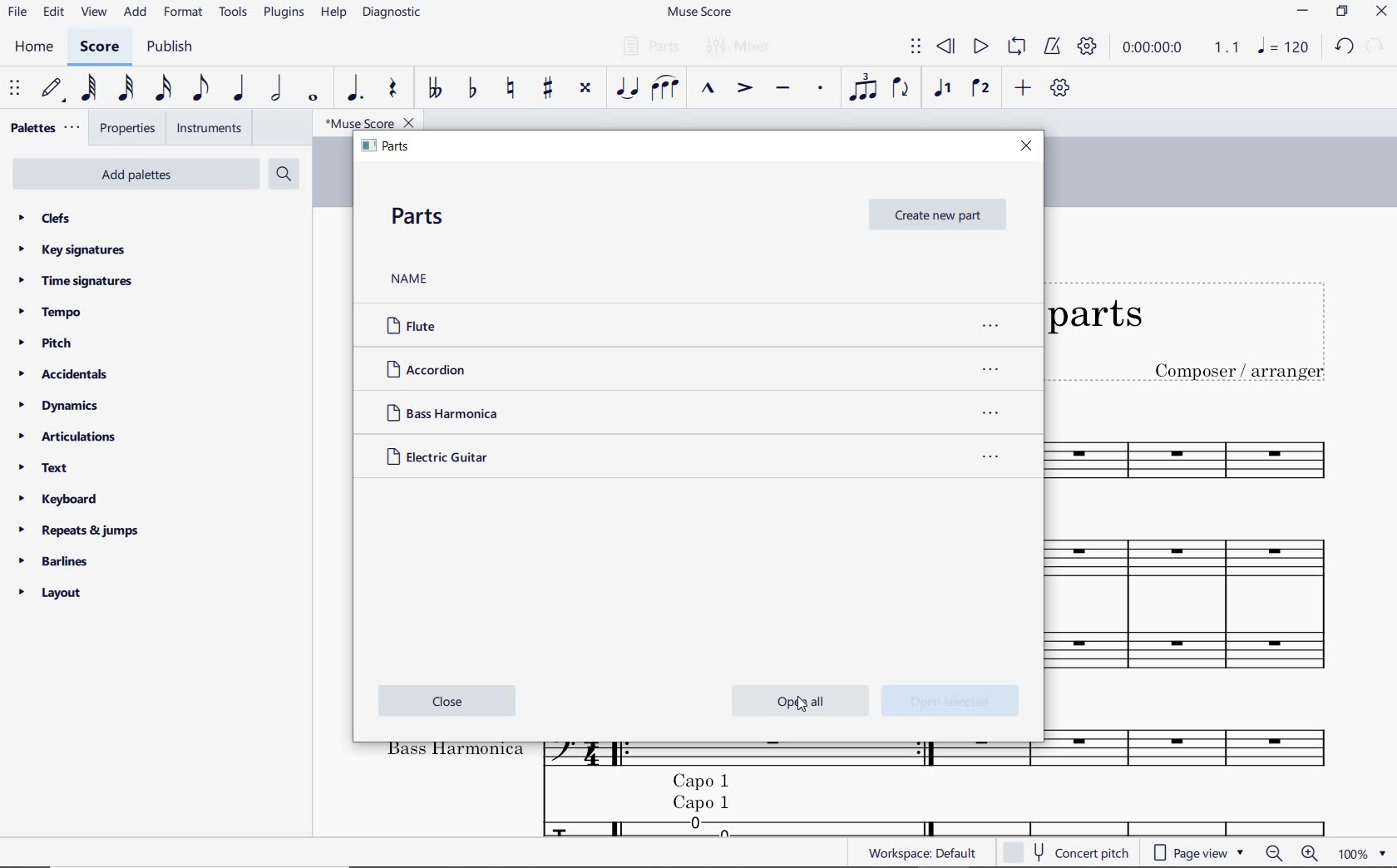 The image size is (1397, 868). Describe the element at coordinates (926, 855) in the screenshot. I see `workspace:default` at that location.